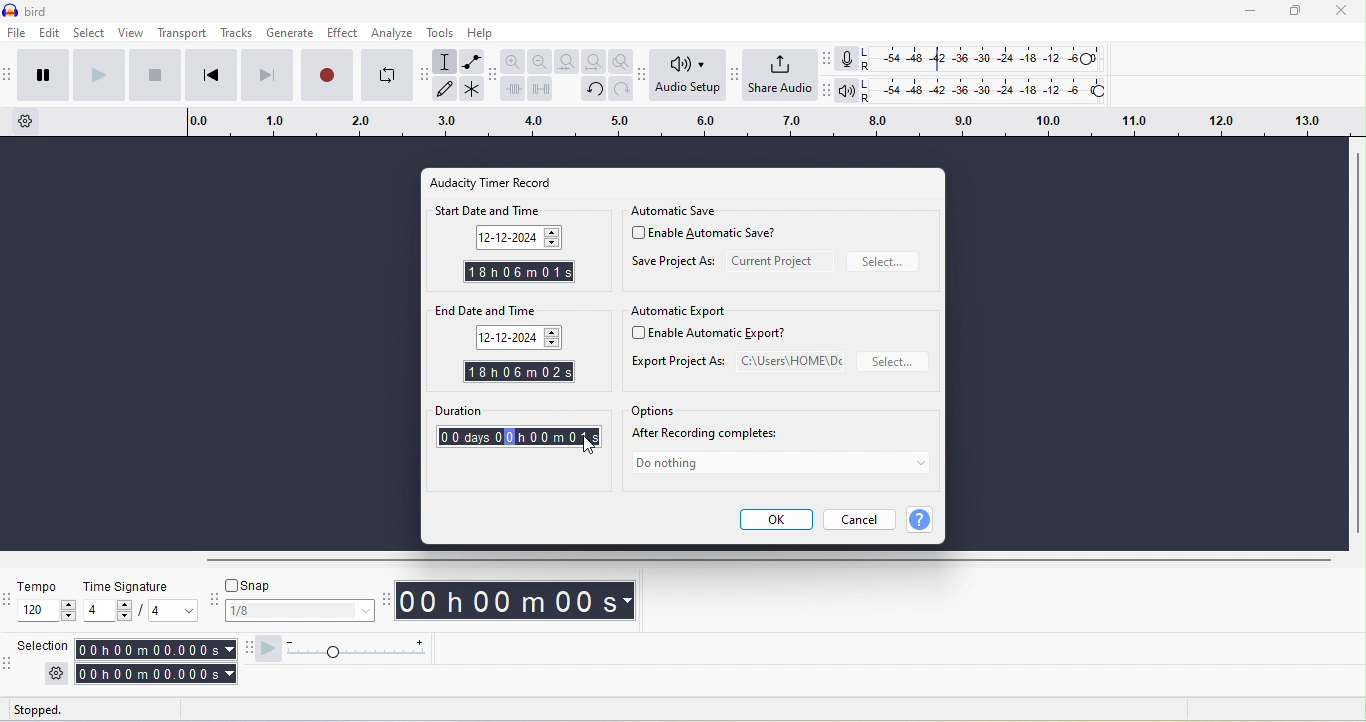  Describe the element at coordinates (290, 35) in the screenshot. I see `generate` at that location.